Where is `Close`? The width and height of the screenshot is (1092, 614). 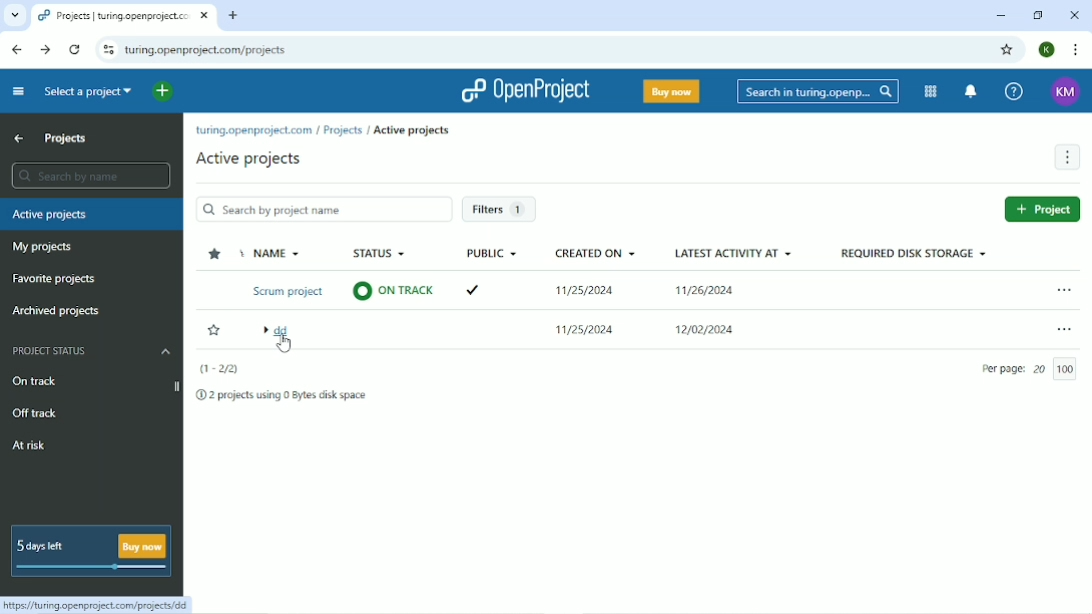 Close is located at coordinates (1076, 15).